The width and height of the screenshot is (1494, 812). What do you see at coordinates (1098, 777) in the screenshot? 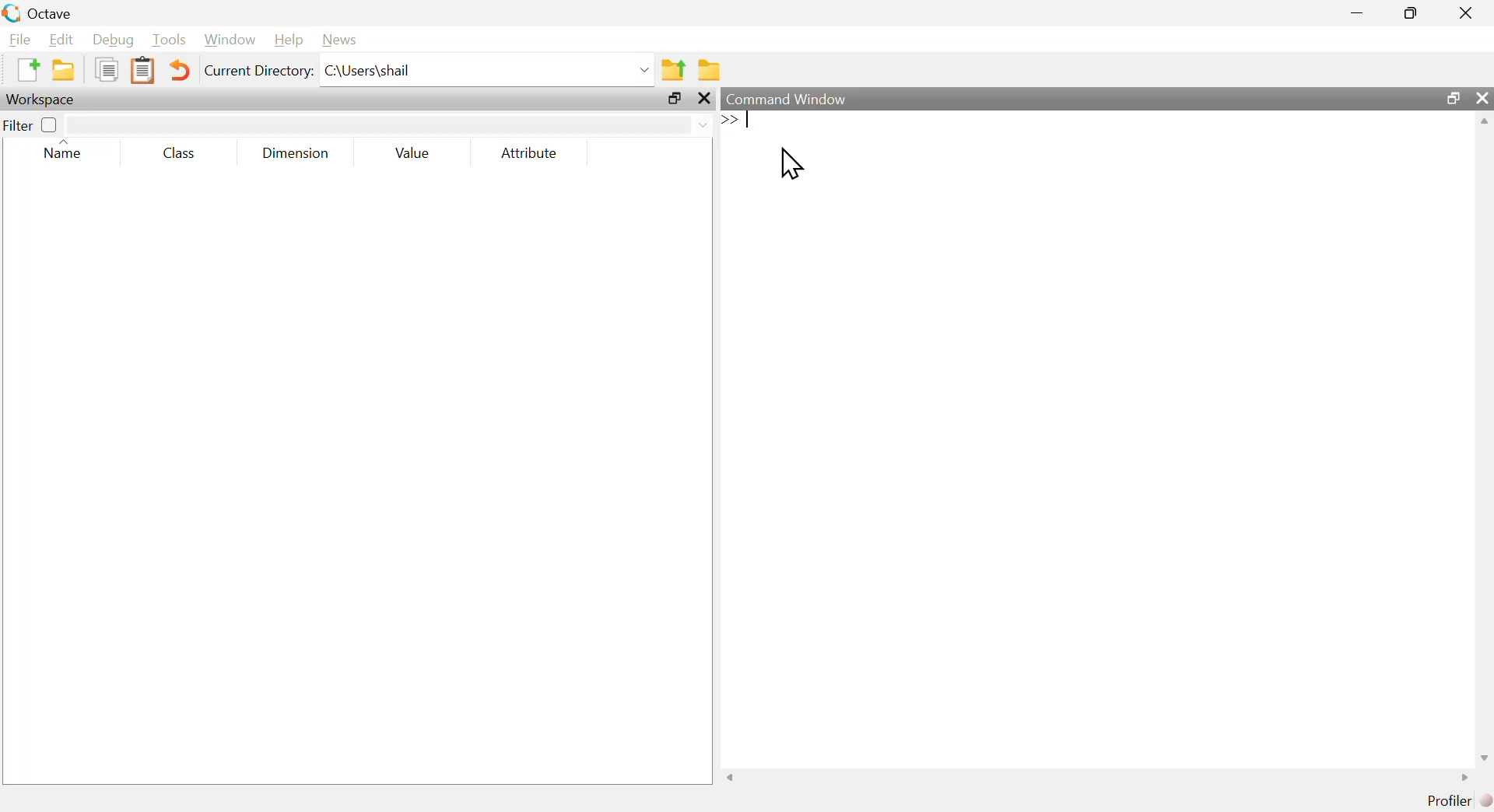
I see `horizontal scroll bar` at bounding box center [1098, 777].